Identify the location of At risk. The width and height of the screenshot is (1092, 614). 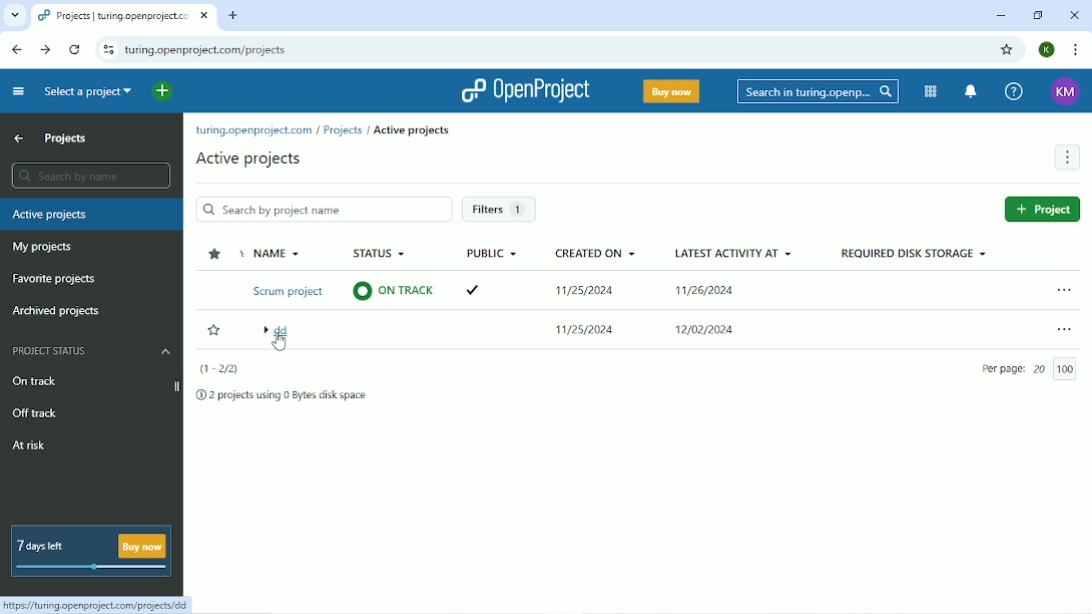
(30, 446).